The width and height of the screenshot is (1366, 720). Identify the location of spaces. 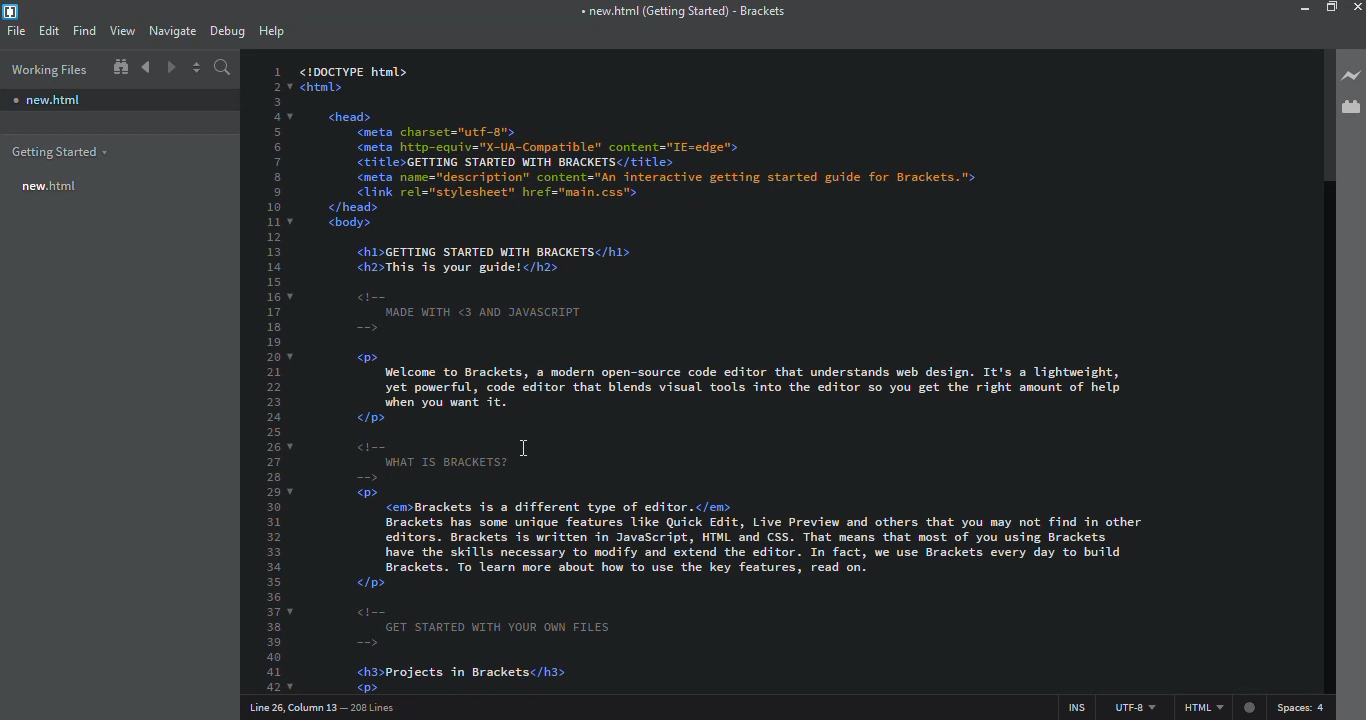
(1303, 706).